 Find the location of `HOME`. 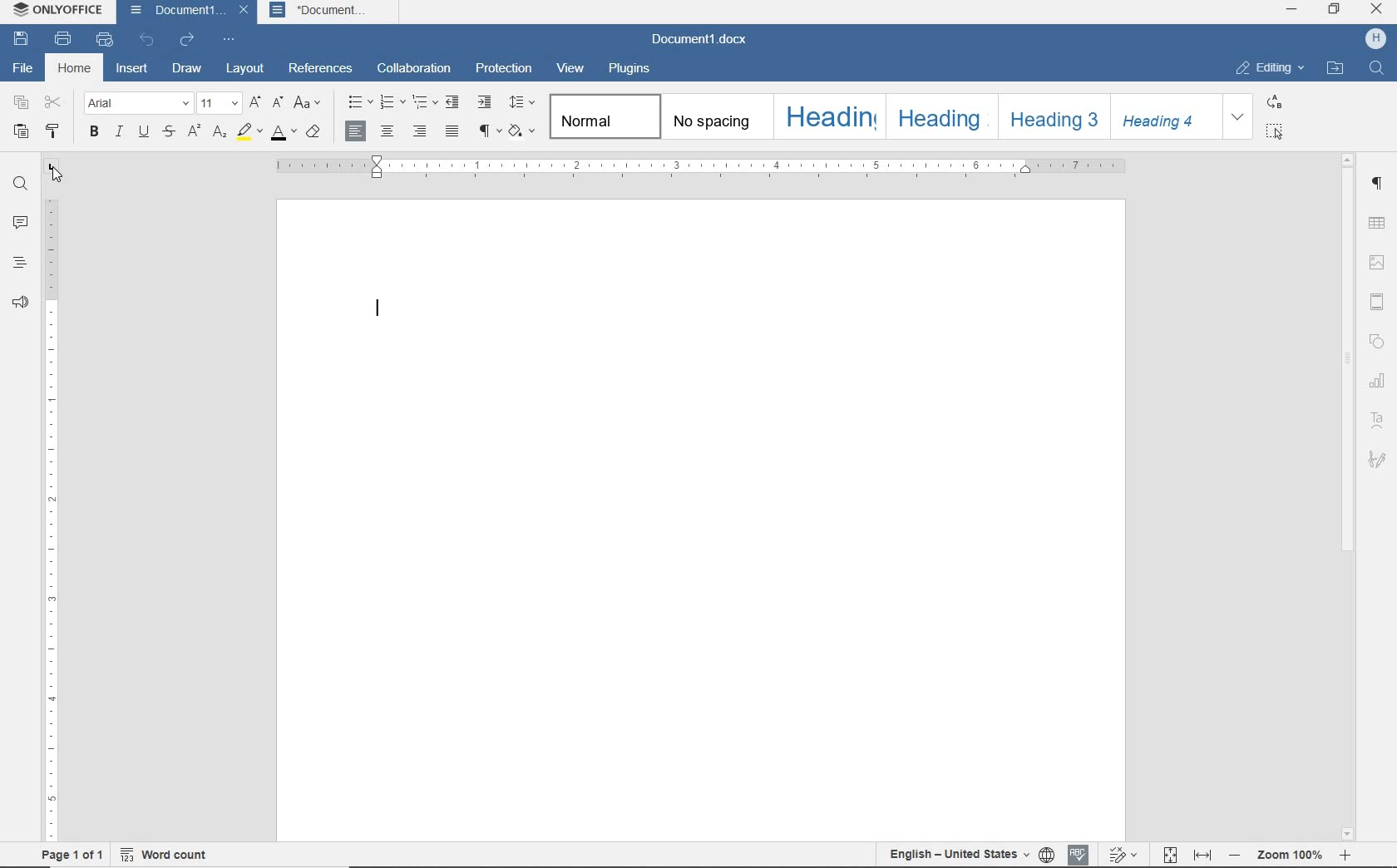

HOME is located at coordinates (77, 70).